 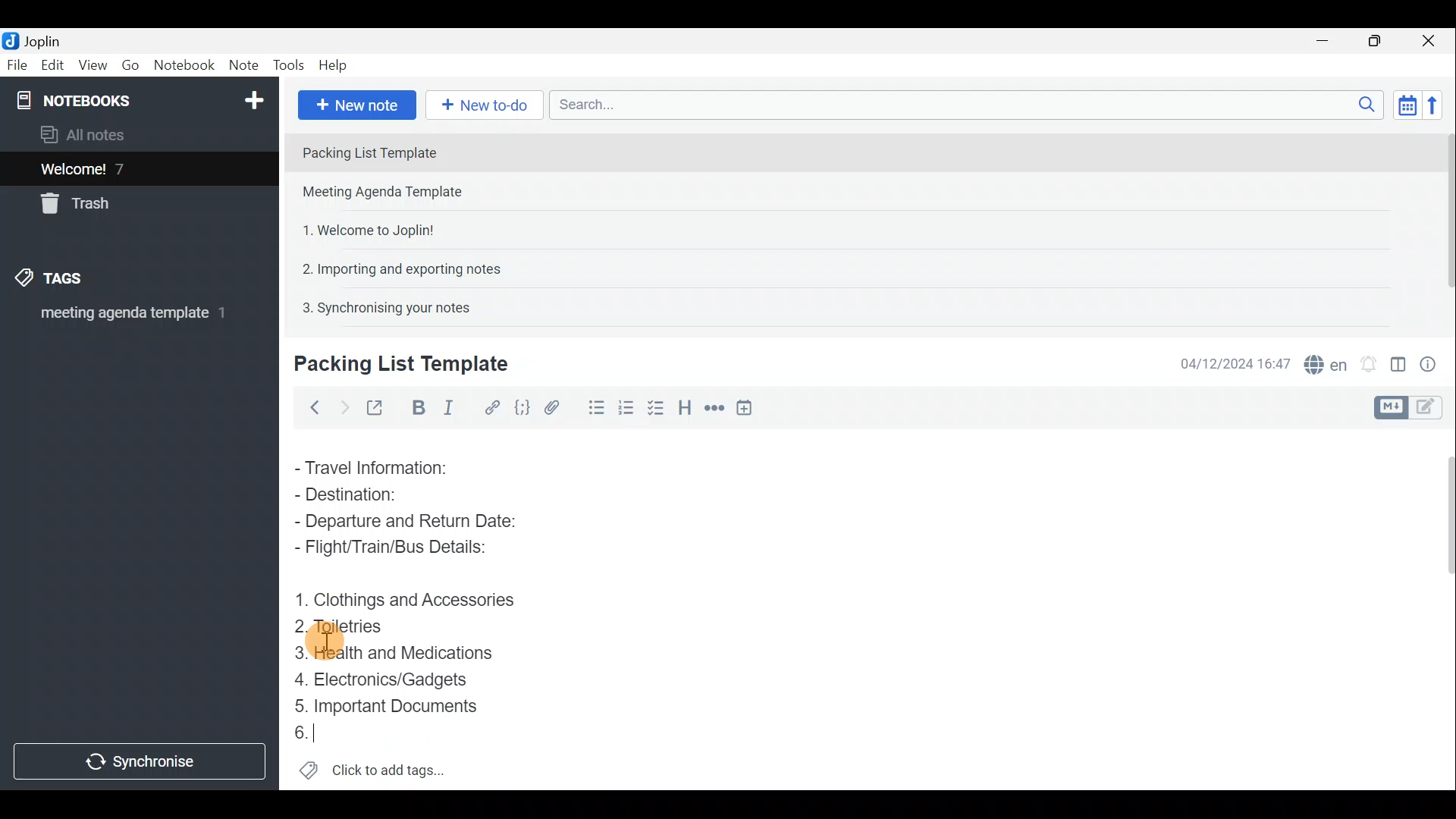 What do you see at coordinates (407, 523) in the screenshot?
I see `Departure and Return Date:` at bounding box center [407, 523].